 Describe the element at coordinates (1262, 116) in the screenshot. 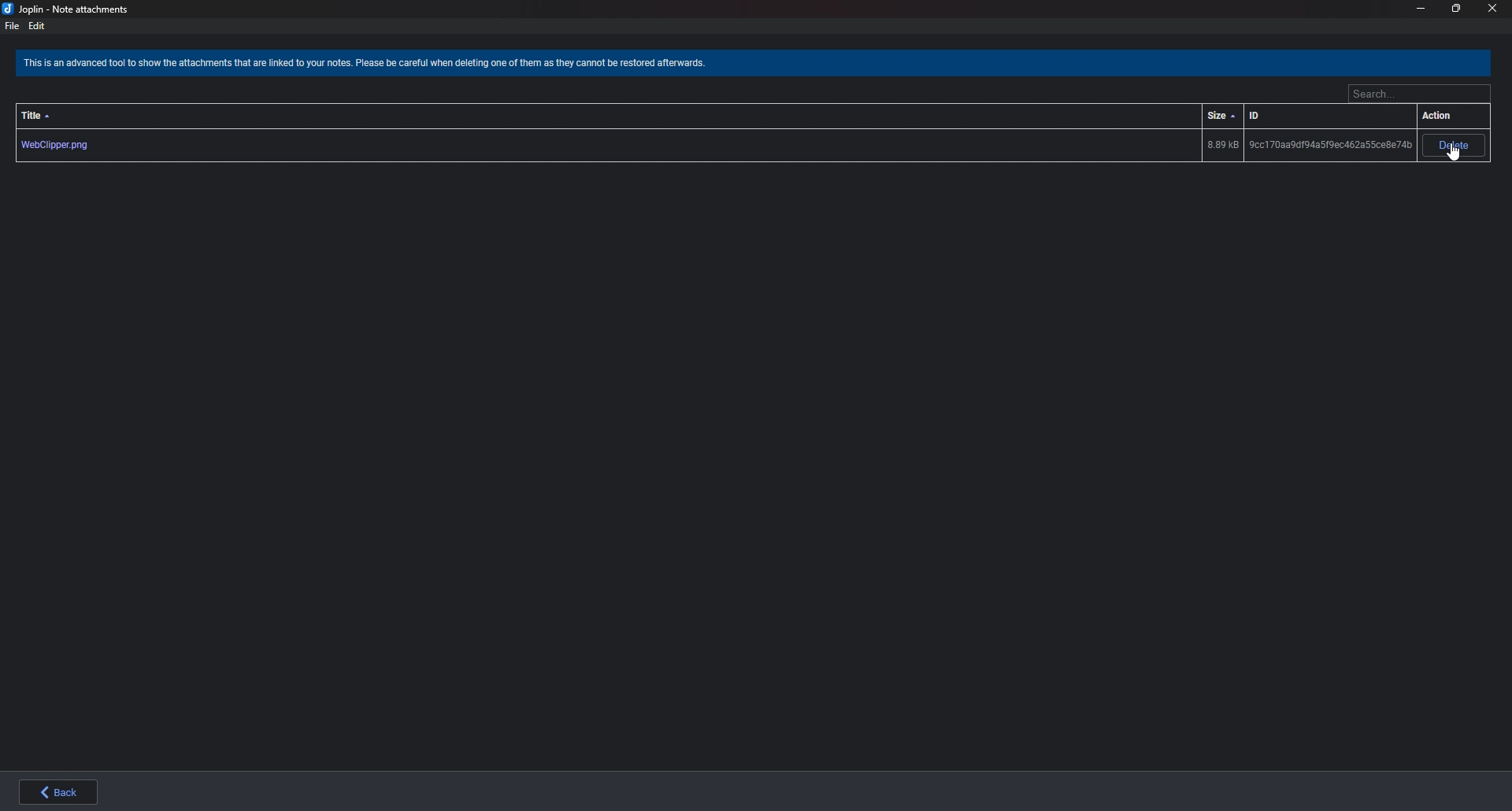

I see `id` at that location.